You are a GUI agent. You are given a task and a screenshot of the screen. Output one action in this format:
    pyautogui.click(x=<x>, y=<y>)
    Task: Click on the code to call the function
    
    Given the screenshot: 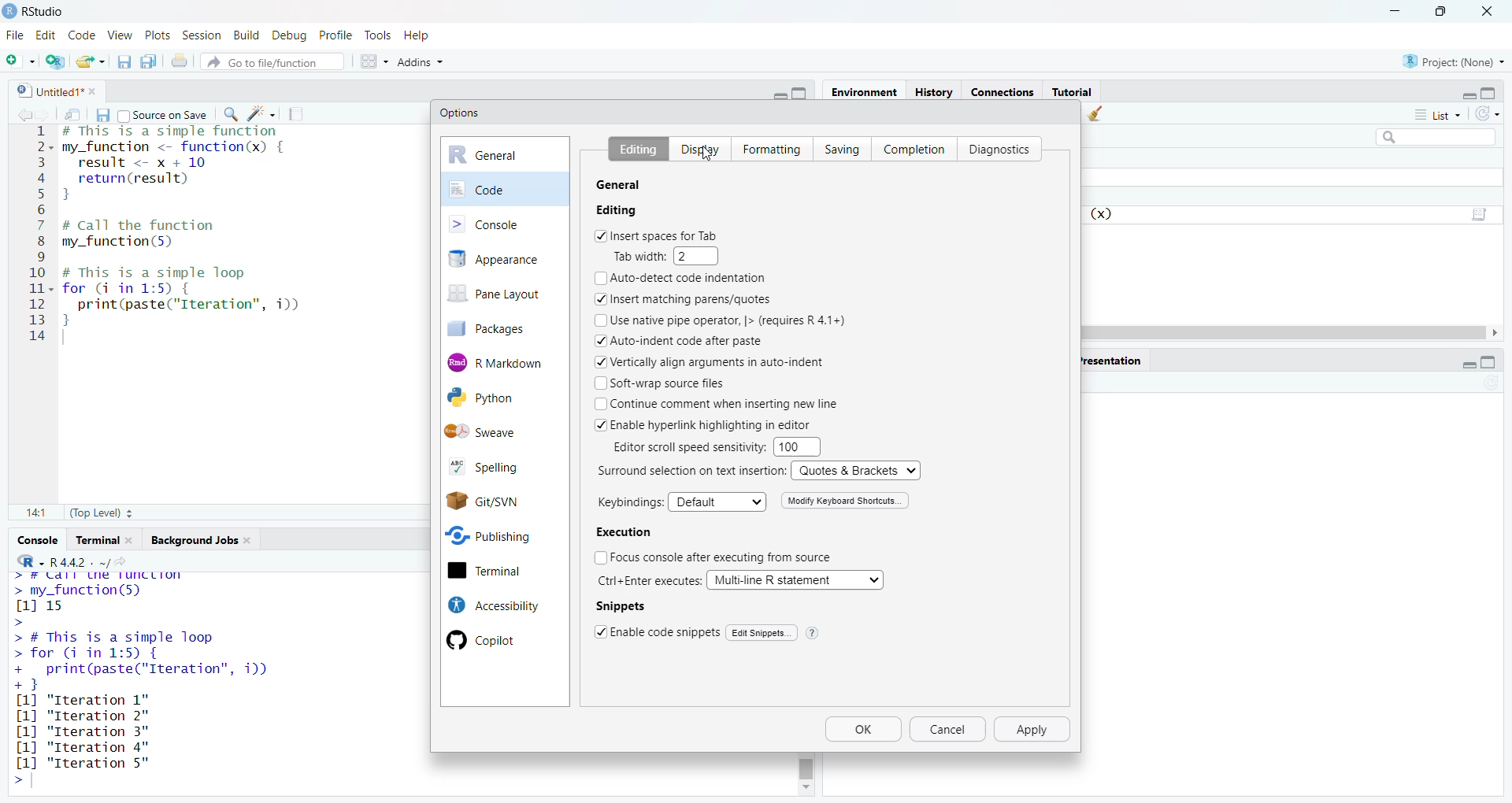 What is the action you would take?
    pyautogui.click(x=175, y=235)
    